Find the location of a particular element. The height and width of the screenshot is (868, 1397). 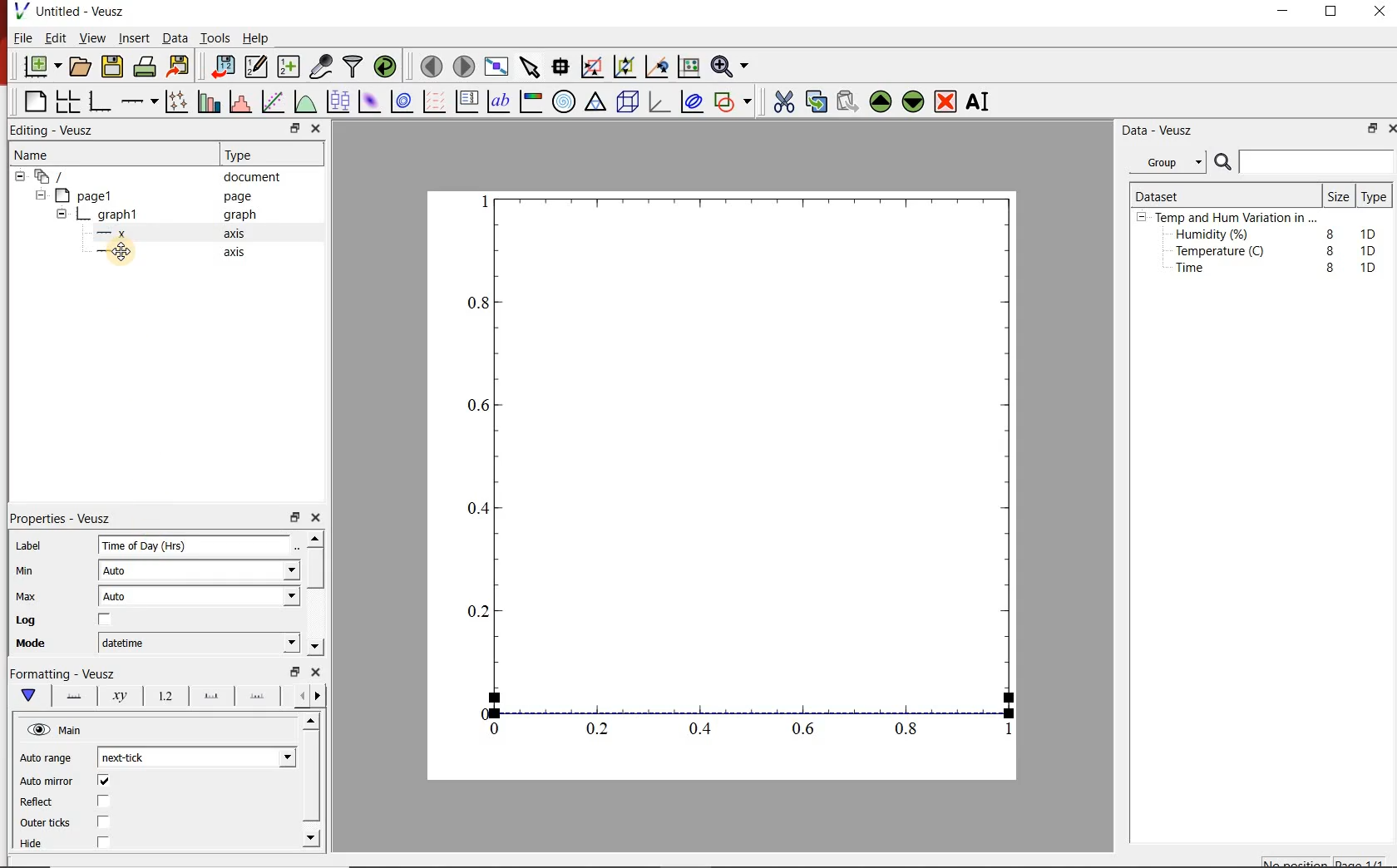

create new datasets using ranges, parametrically or as functions of existing datasets is located at coordinates (289, 67).